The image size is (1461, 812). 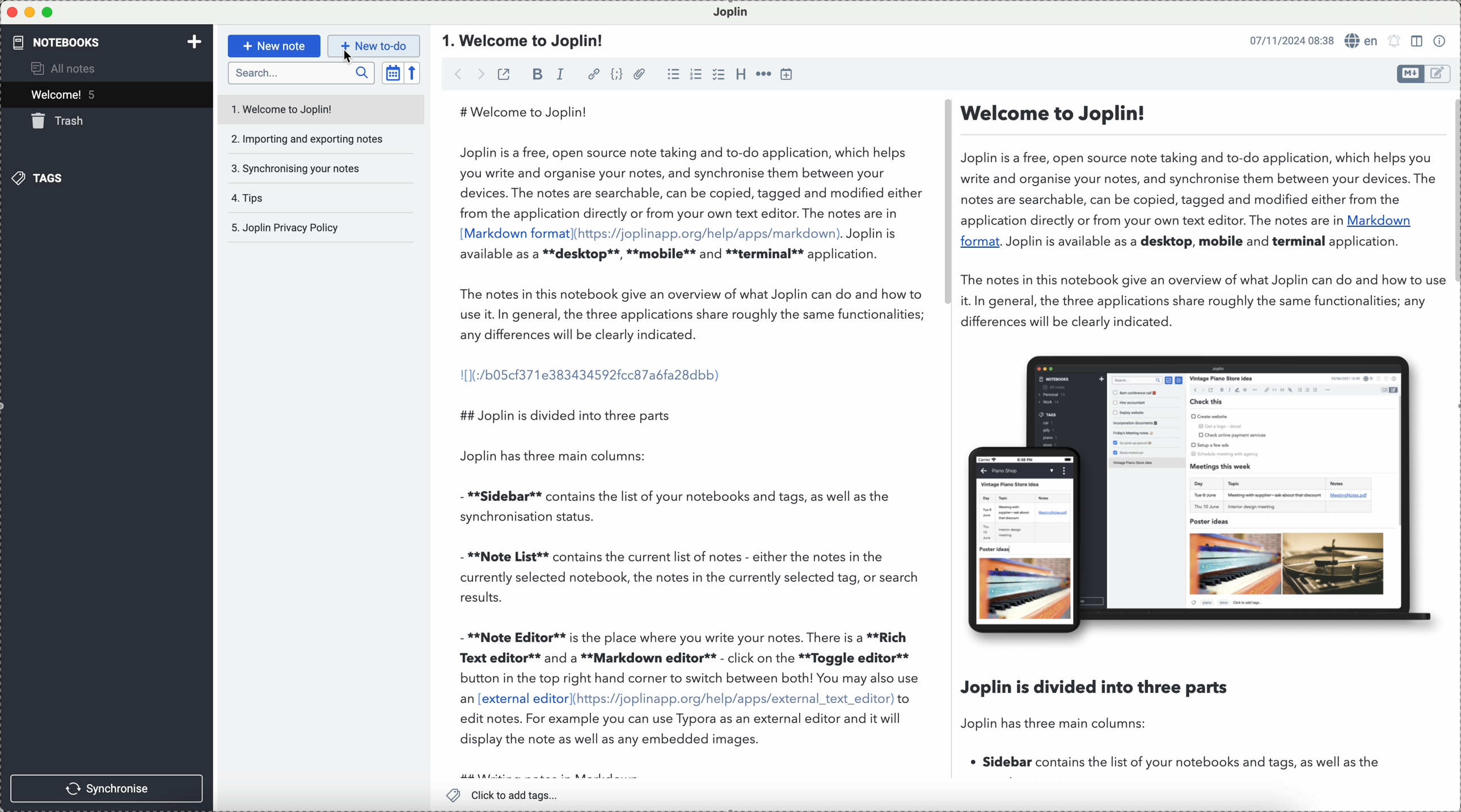 What do you see at coordinates (1362, 40) in the screenshot?
I see `language` at bounding box center [1362, 40].